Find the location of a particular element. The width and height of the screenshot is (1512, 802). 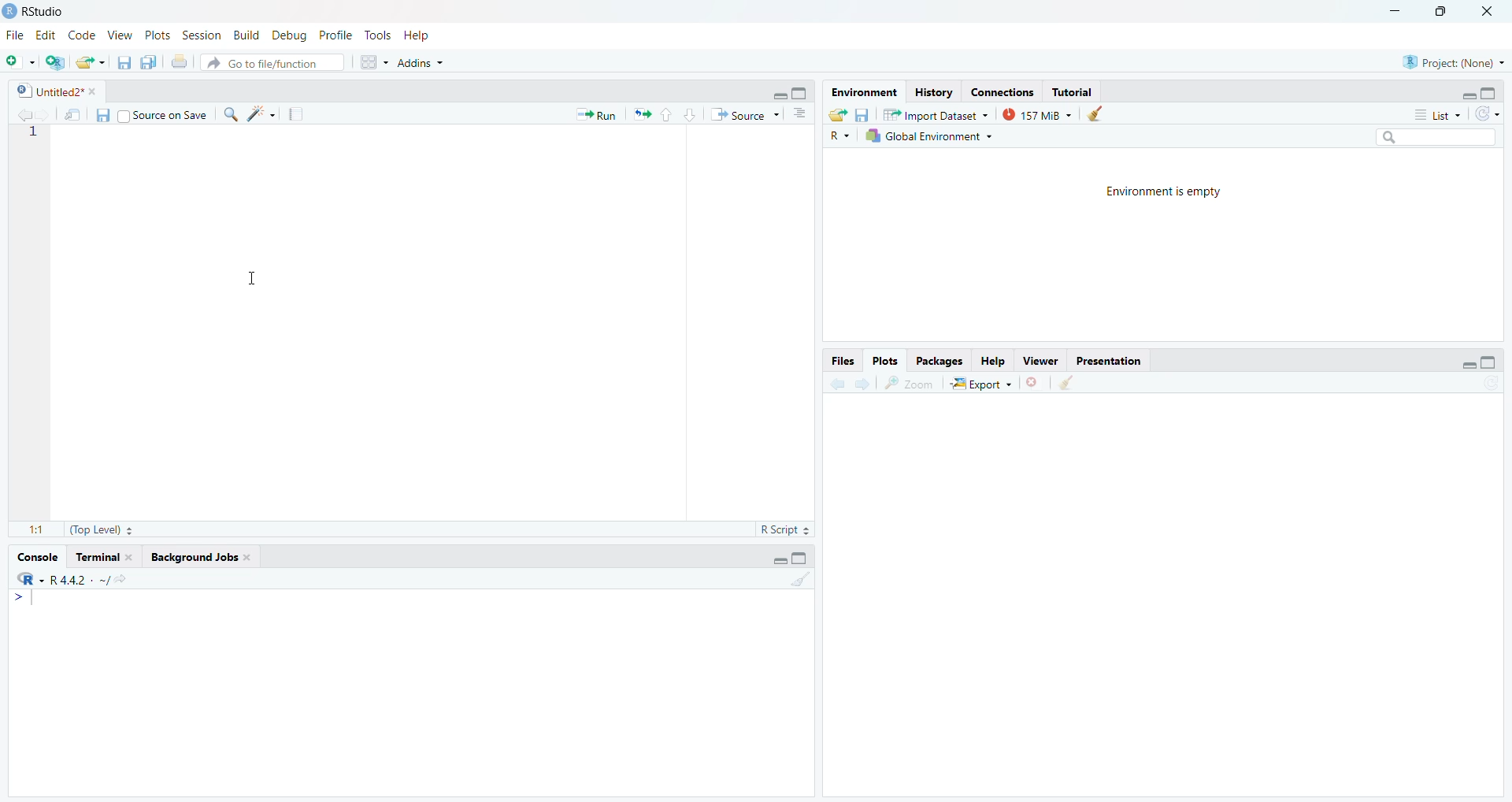

View is located at coordinates (119, 33).